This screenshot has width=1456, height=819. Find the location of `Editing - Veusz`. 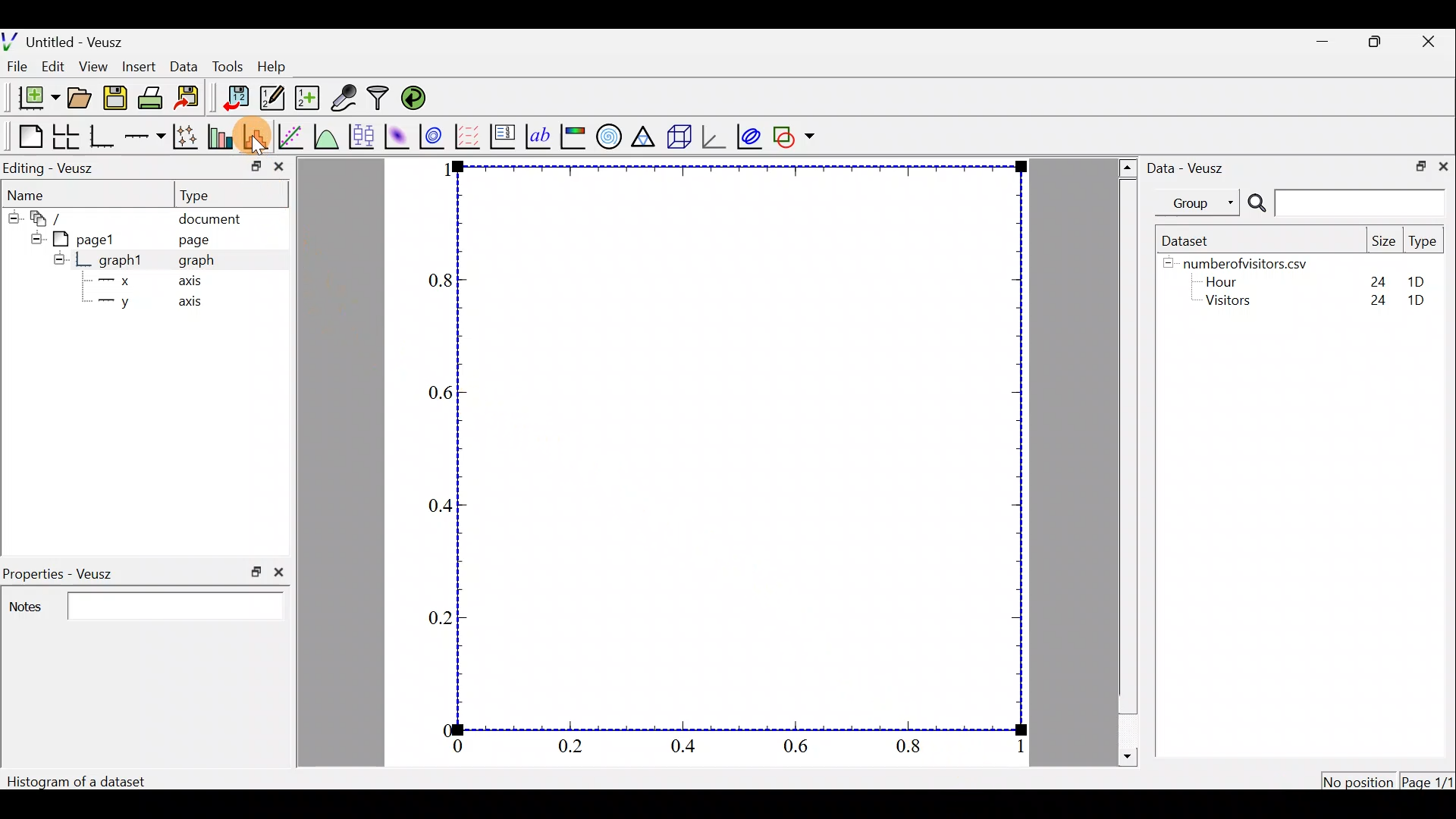

Editing - Veusz is located at coordinates (52, 168).